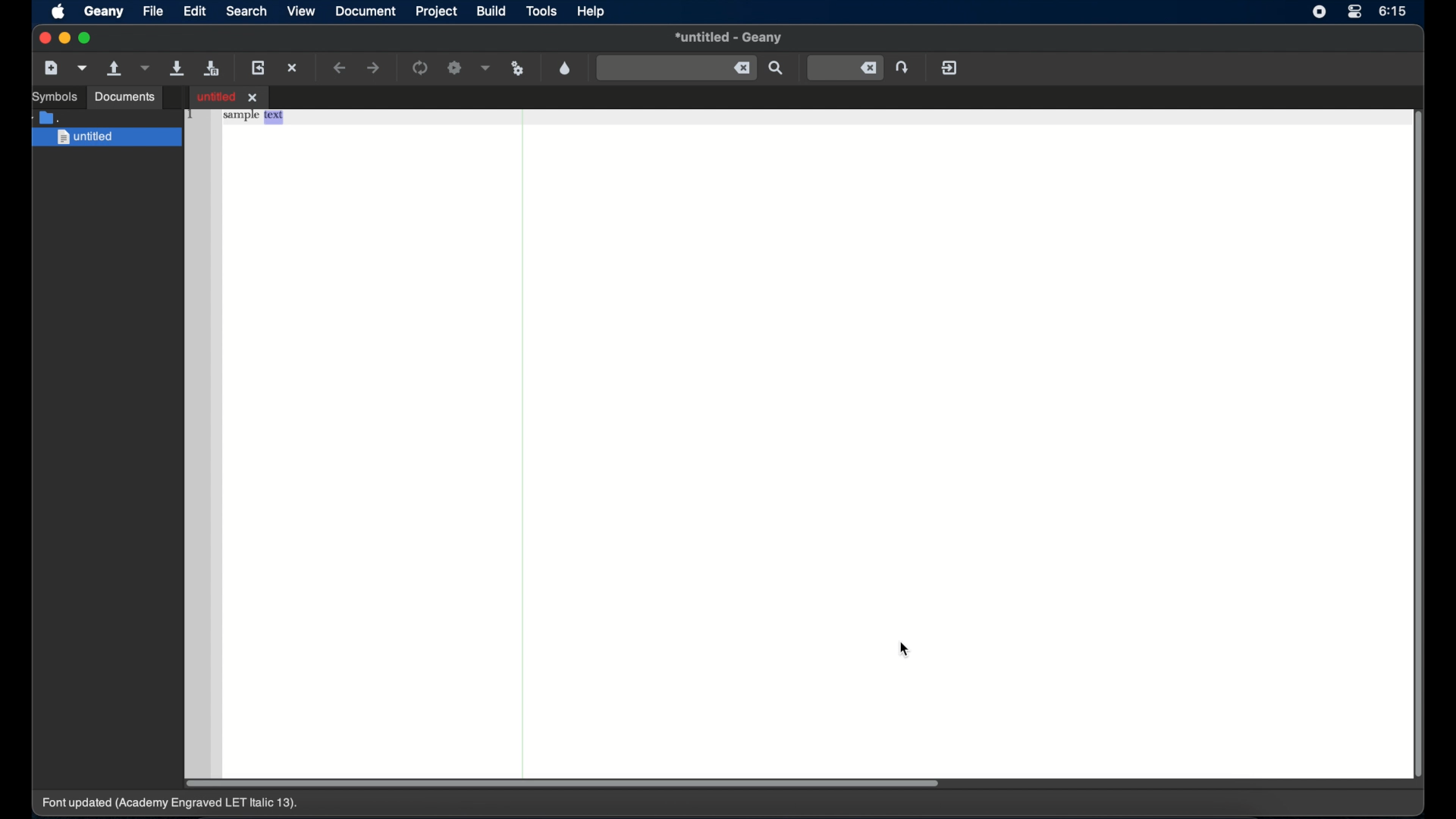 The height and width of the screenshot is (819, 1456). Describe the element at coordinates (561, 783) in the screenshot. I see `scroll box` at that location.